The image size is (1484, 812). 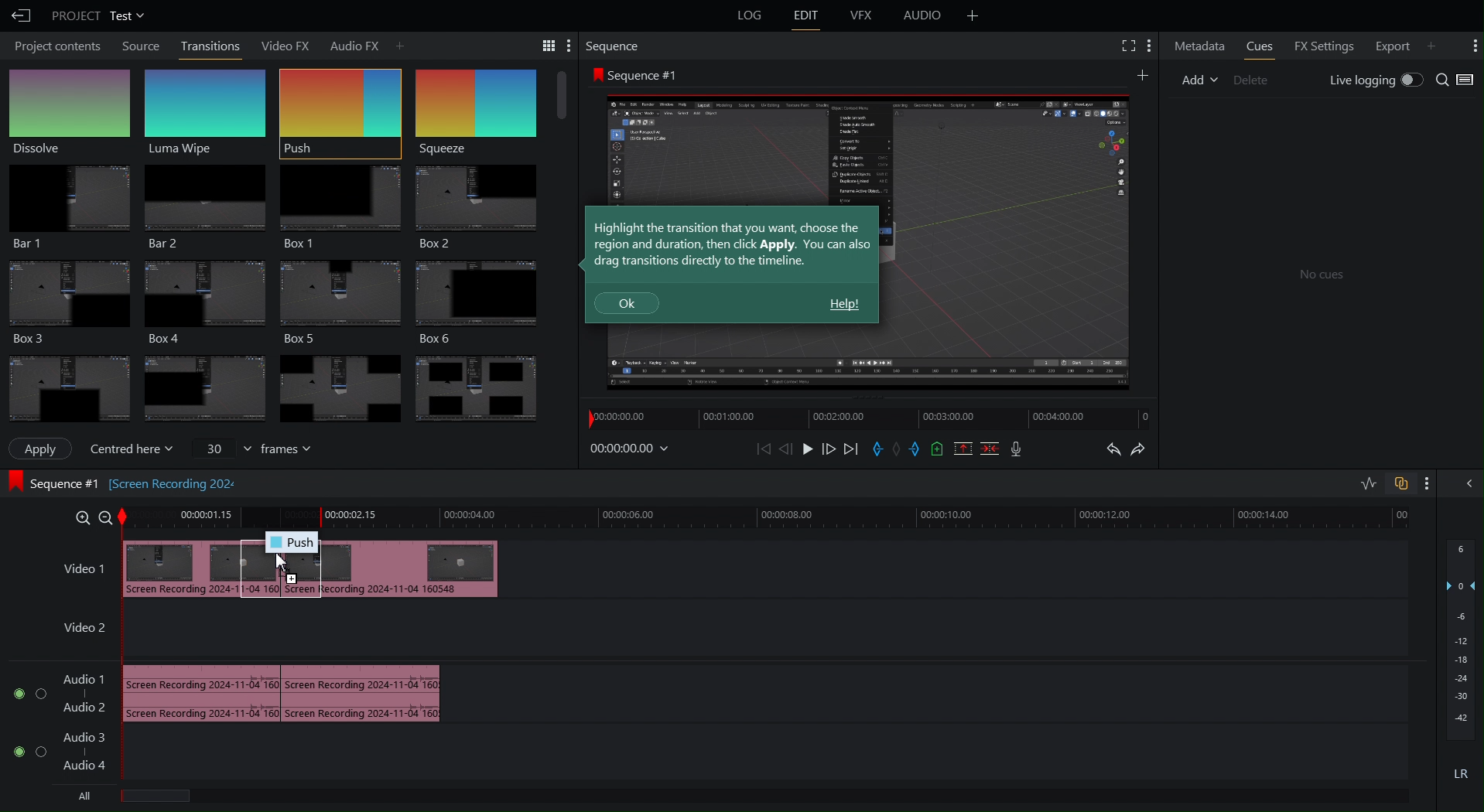 What do you see at coordinates (1373, 80) in the screenshot?
I see `Live Logging` at bounding box center [1373, 80].